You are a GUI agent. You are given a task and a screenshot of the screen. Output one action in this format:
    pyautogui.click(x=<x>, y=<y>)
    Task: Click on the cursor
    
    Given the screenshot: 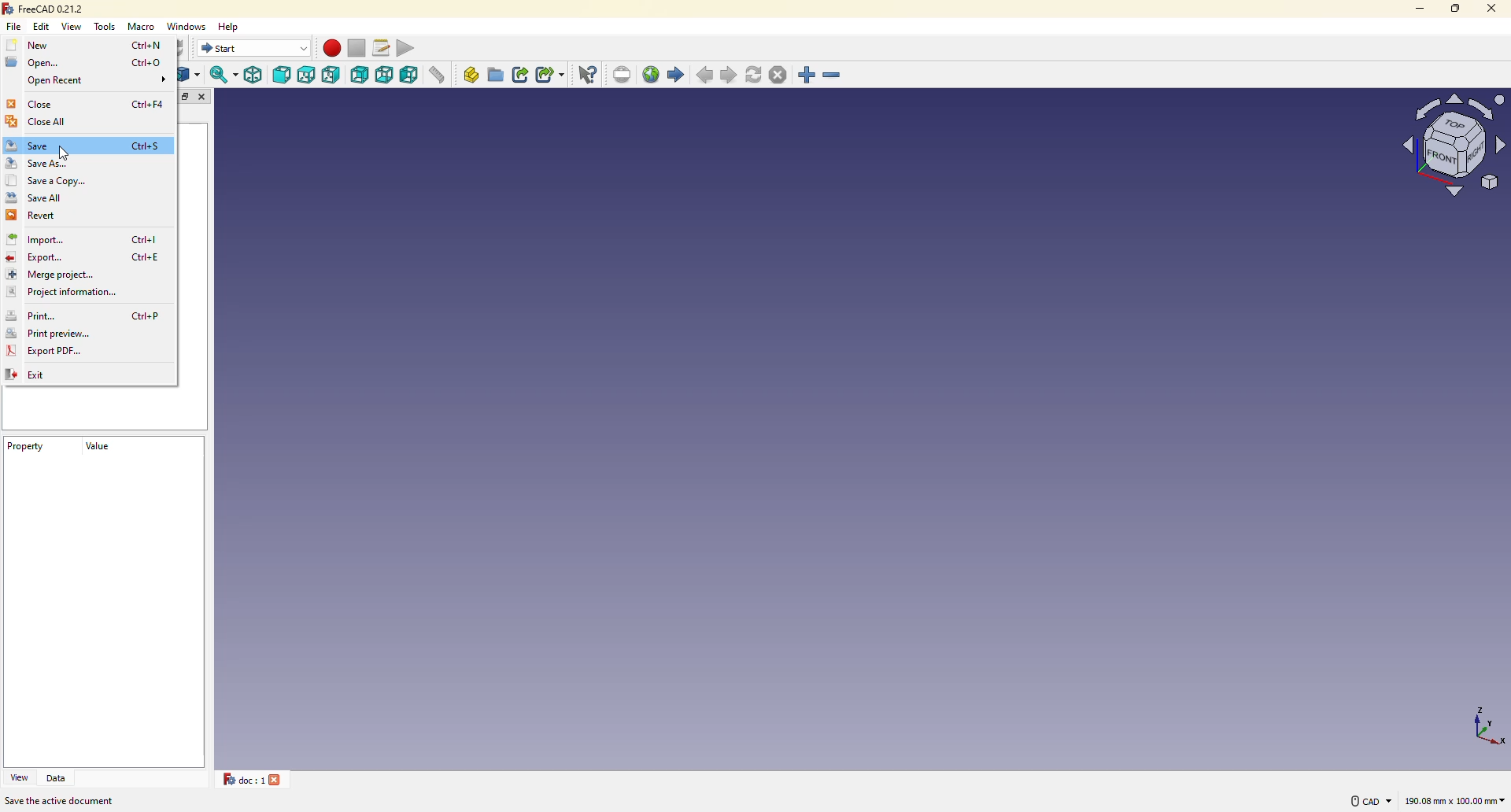 What is the action you would take?
    pyautogui.click(x=65, y=153)
    